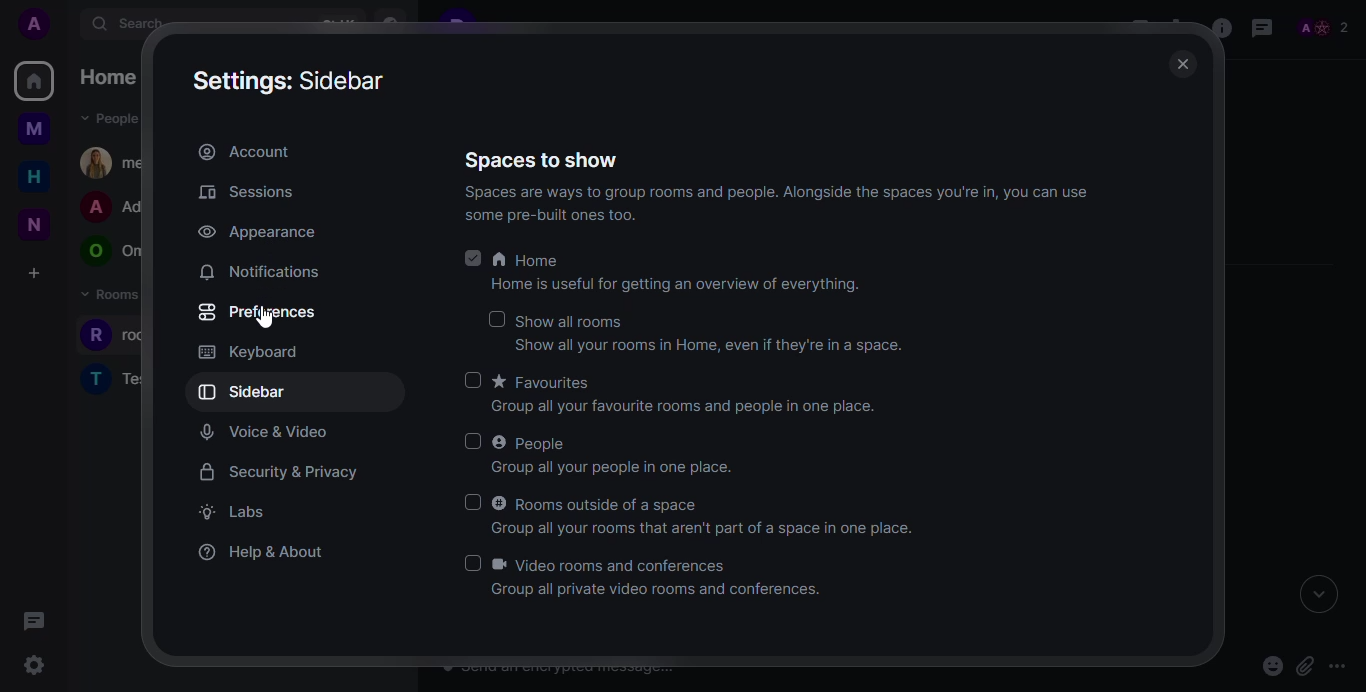  What do you see at coordinates (708, 528) in the screenshot?
I see `Group all your rooms that aren't part of a space in one place.` at bounding box center [708, 528].